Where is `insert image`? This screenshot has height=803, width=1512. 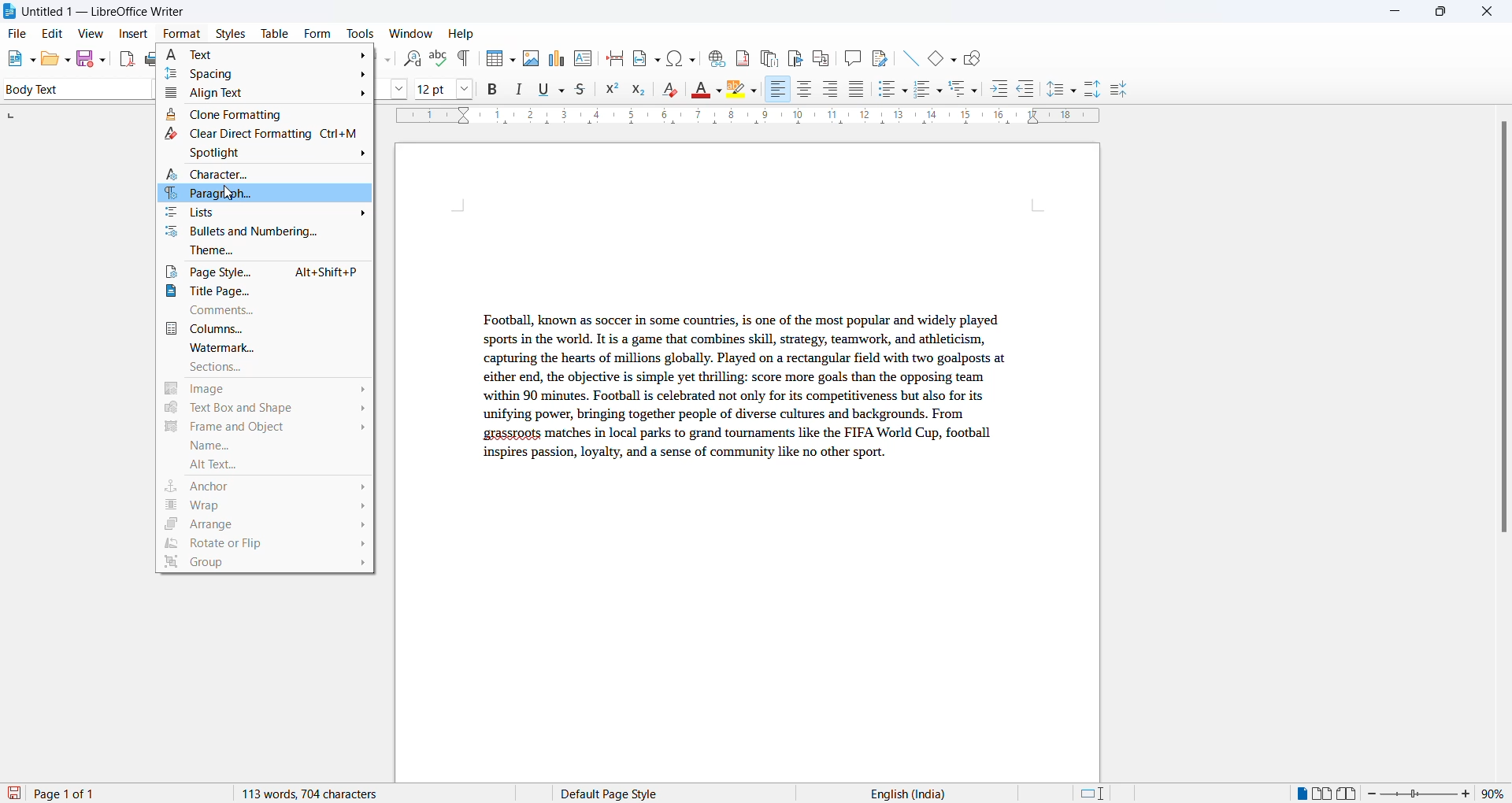
insert image is located at coordinates (530, 58).